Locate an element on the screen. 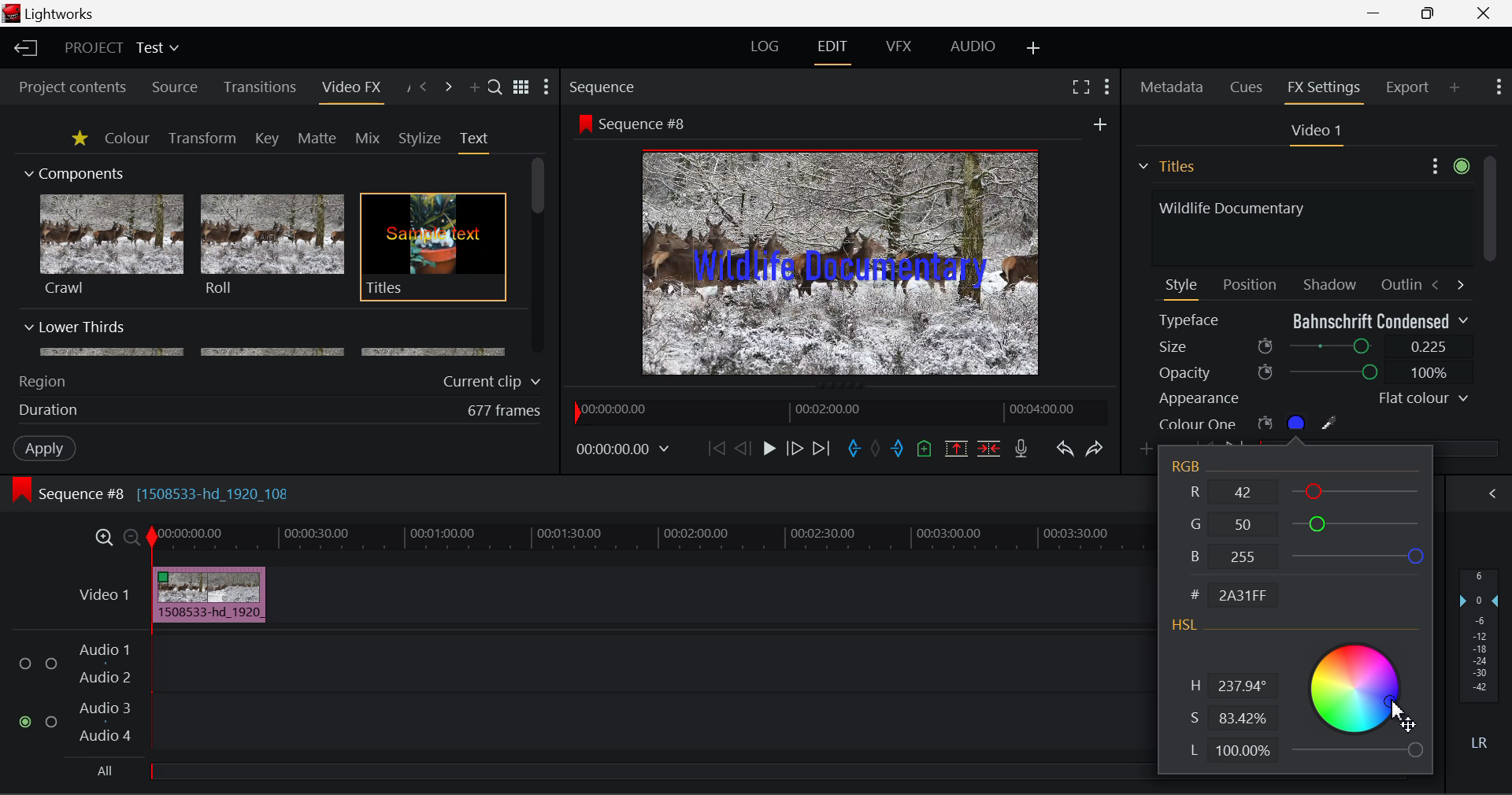  Favorites is located at coordinates (81, 139).